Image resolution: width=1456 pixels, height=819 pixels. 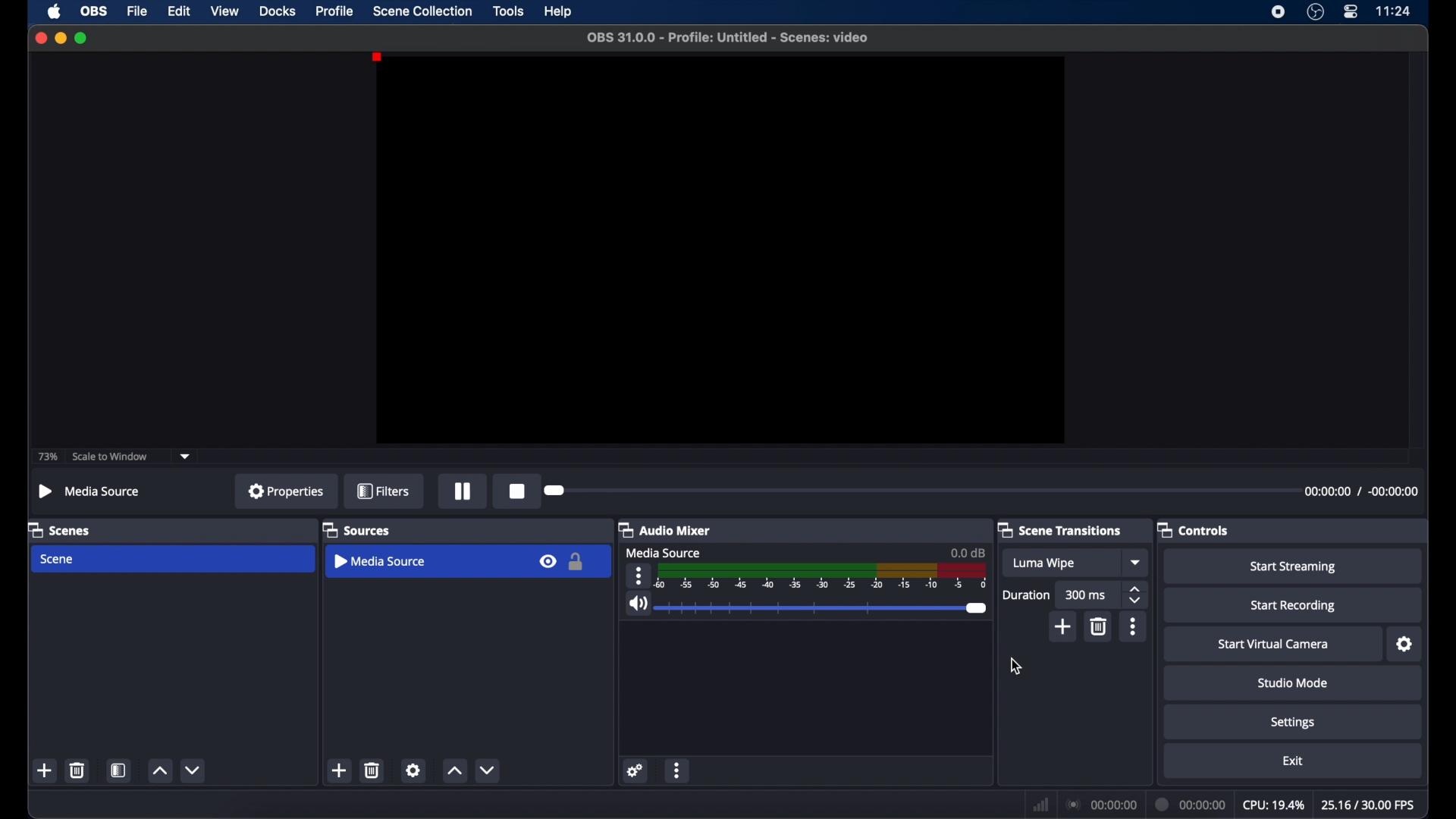 I want to click on fps, so click(x=1368, y=805).